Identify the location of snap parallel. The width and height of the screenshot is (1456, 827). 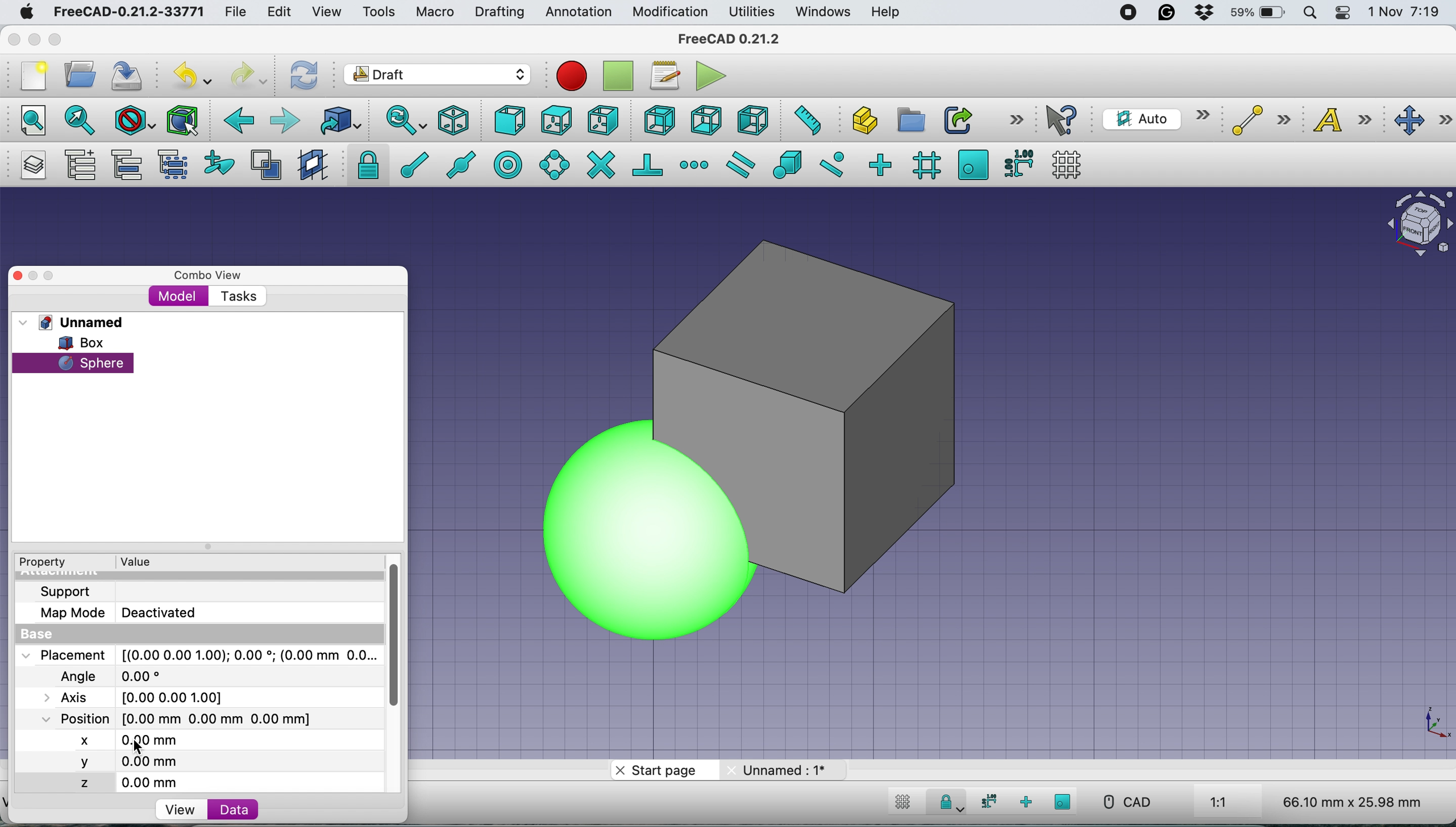
(738, 165).